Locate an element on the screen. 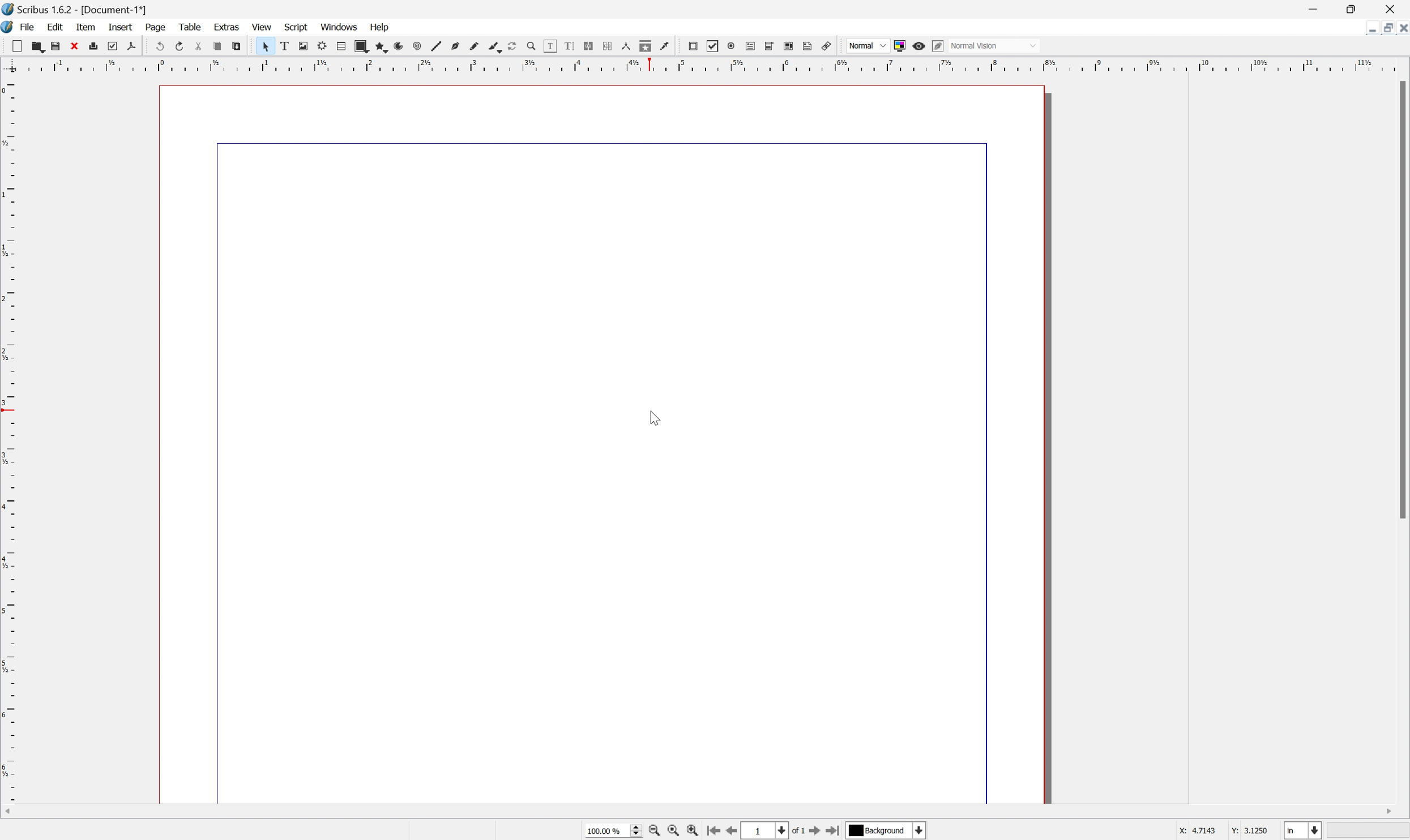 This screenshot has height=840, width=1410. PDF text field is located at coordinates (750, 46).